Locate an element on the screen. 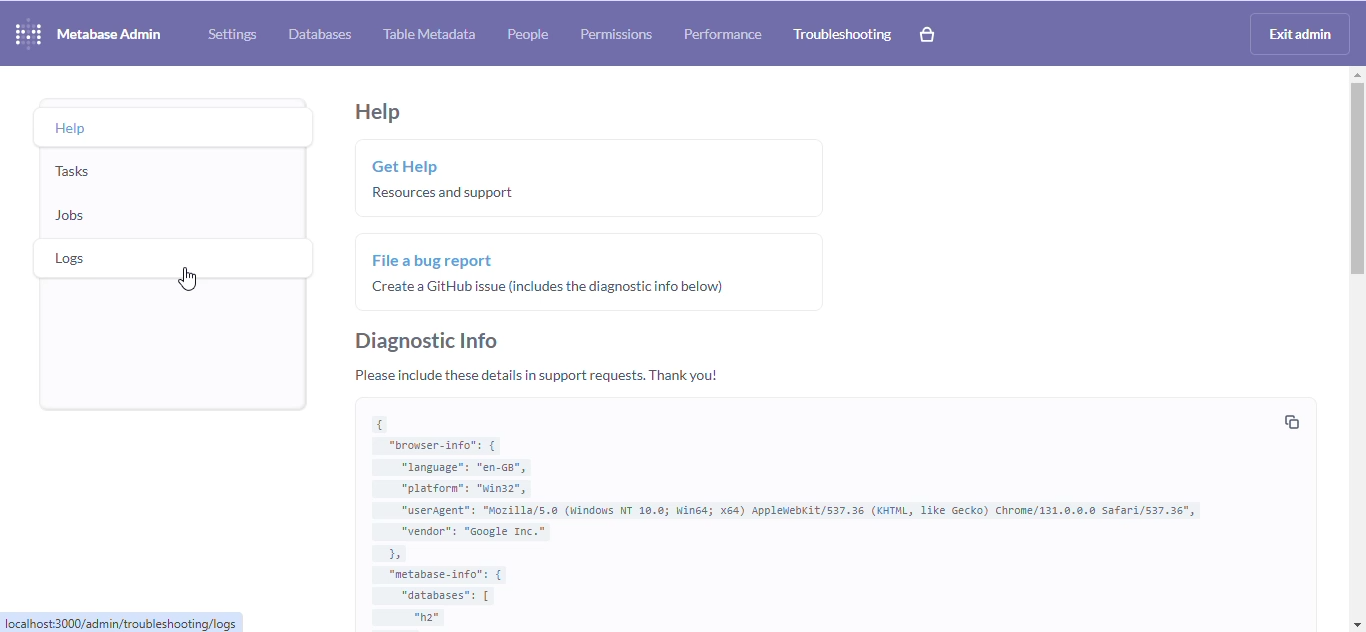 Image resolution: width=1366 pixels, height=632 pixels. please include these details in support requests. thank you! is located at coordinates (538, 376).